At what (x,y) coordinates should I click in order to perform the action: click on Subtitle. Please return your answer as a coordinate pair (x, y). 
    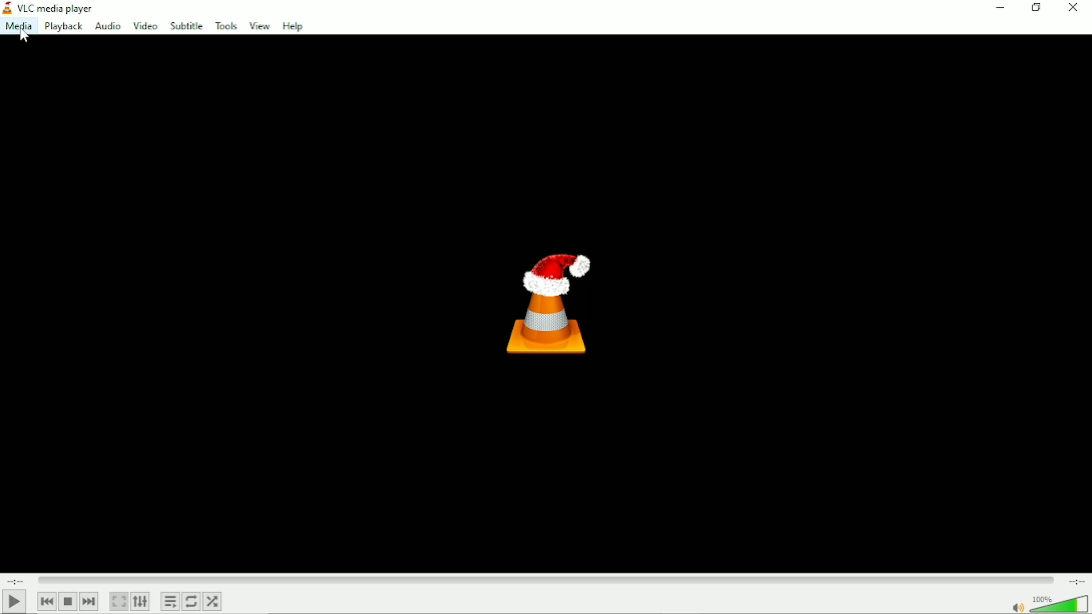
    Looking at the image, I should click on (188, 26).